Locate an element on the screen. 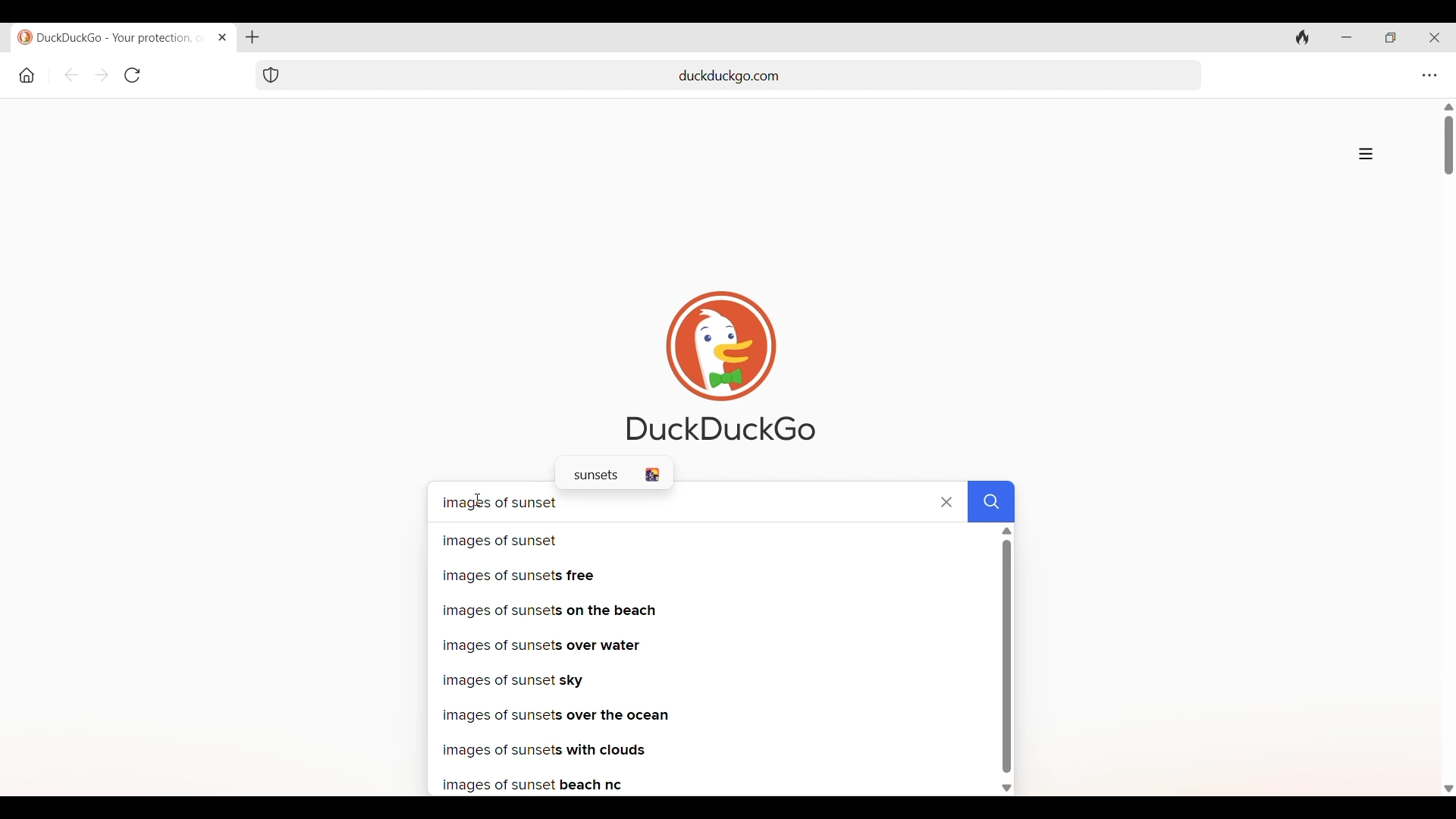 This screenshot has height=819, width=1456. Search input made is located at coordinates (991, 502).